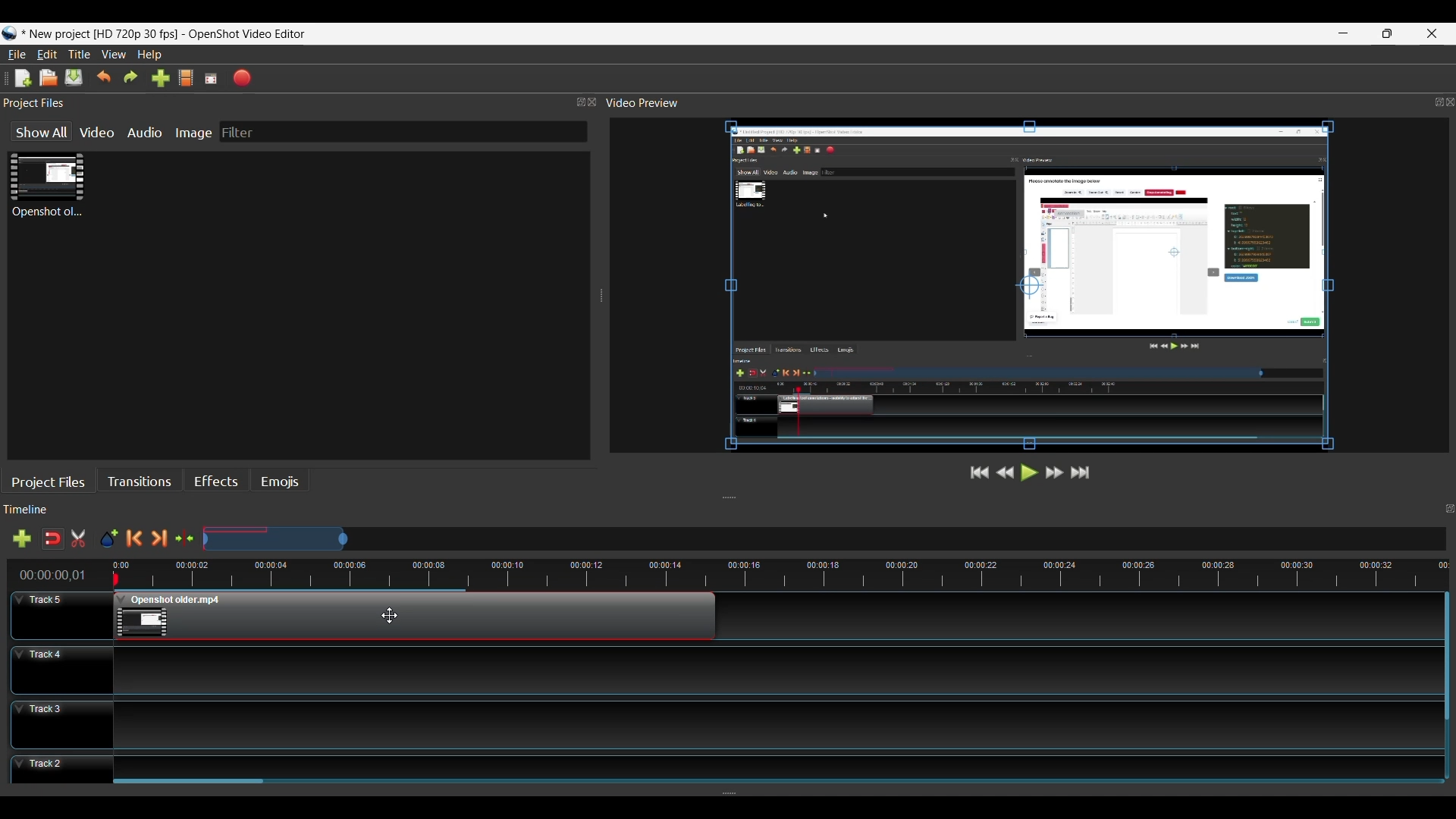 This screenshot has height=819, width=1456. I want to click on Project Files, so click(299, 104).